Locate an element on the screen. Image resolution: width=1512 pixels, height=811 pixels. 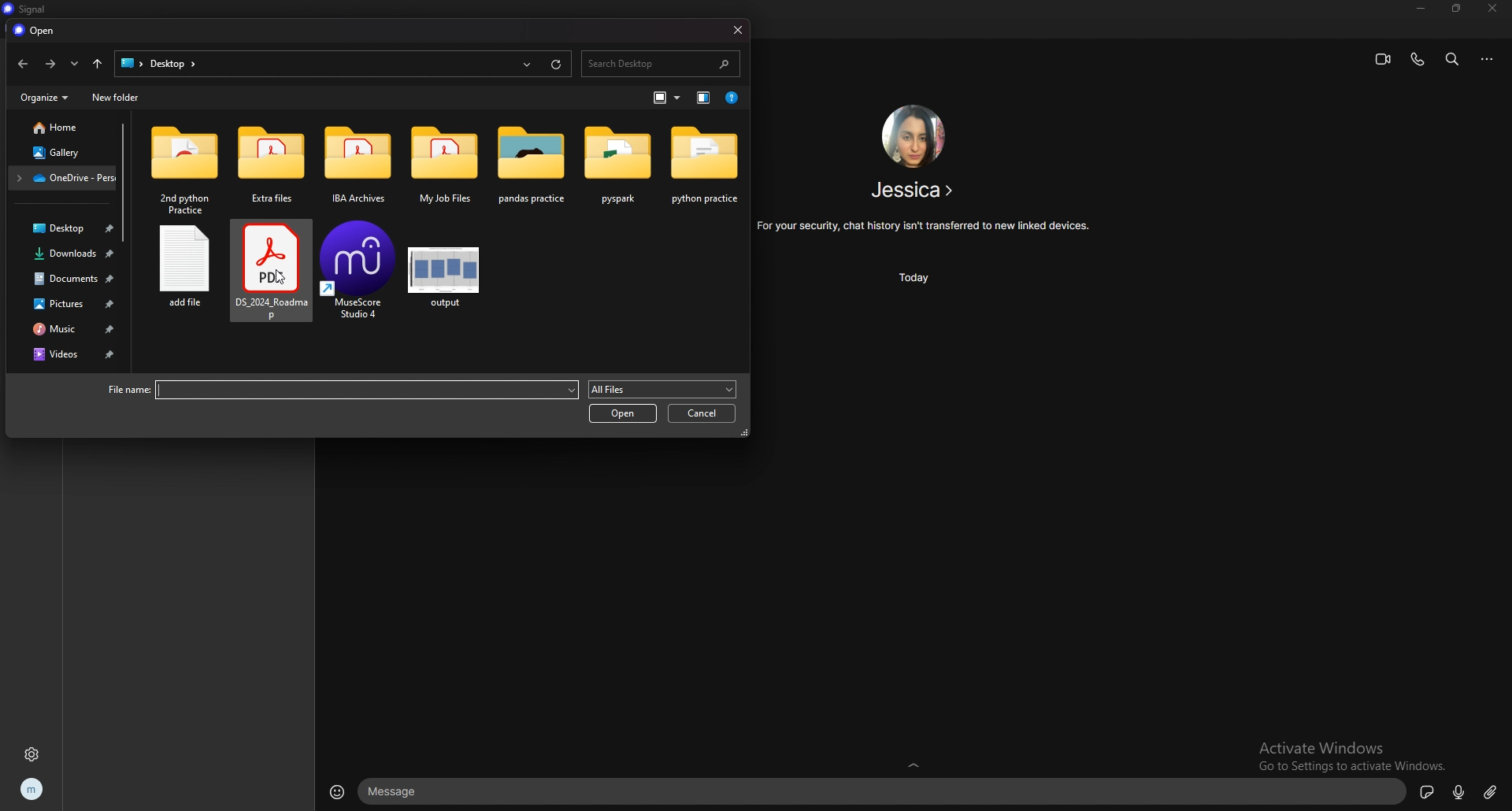
resize is located at coordinates (1457, 9).